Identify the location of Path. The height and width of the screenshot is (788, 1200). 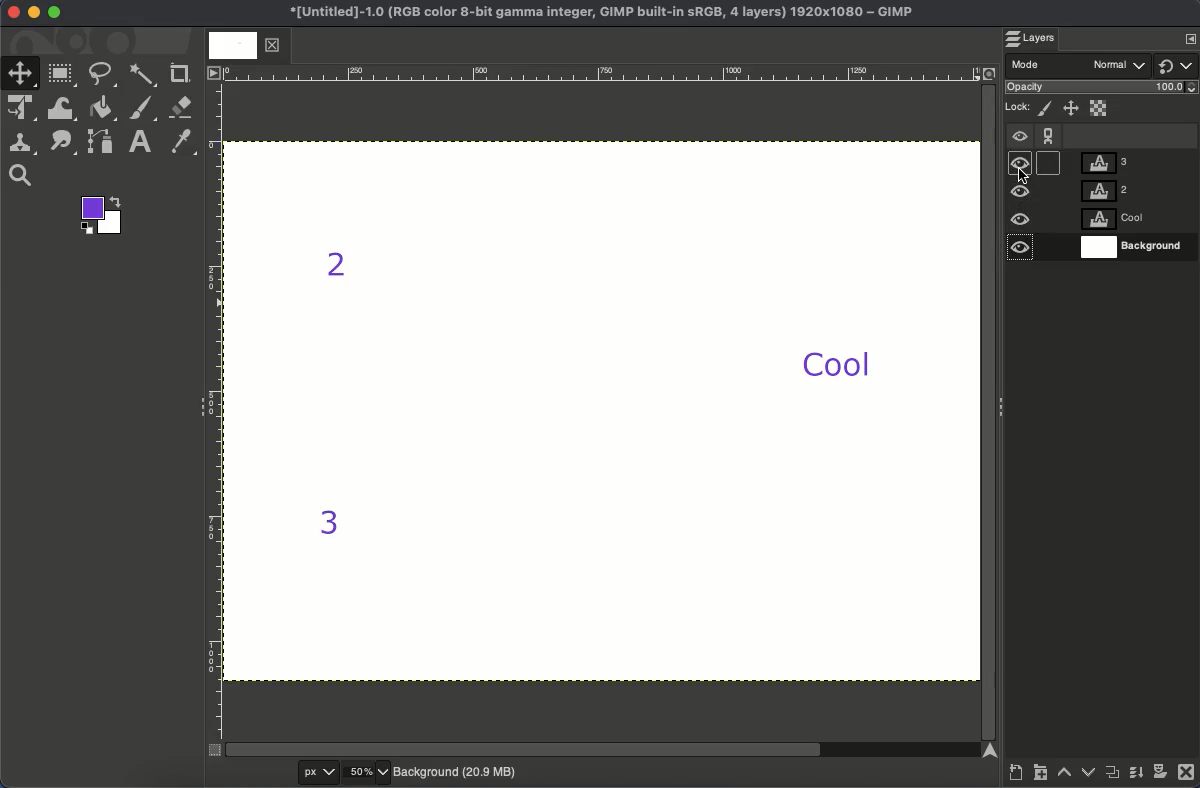
(103, 145).